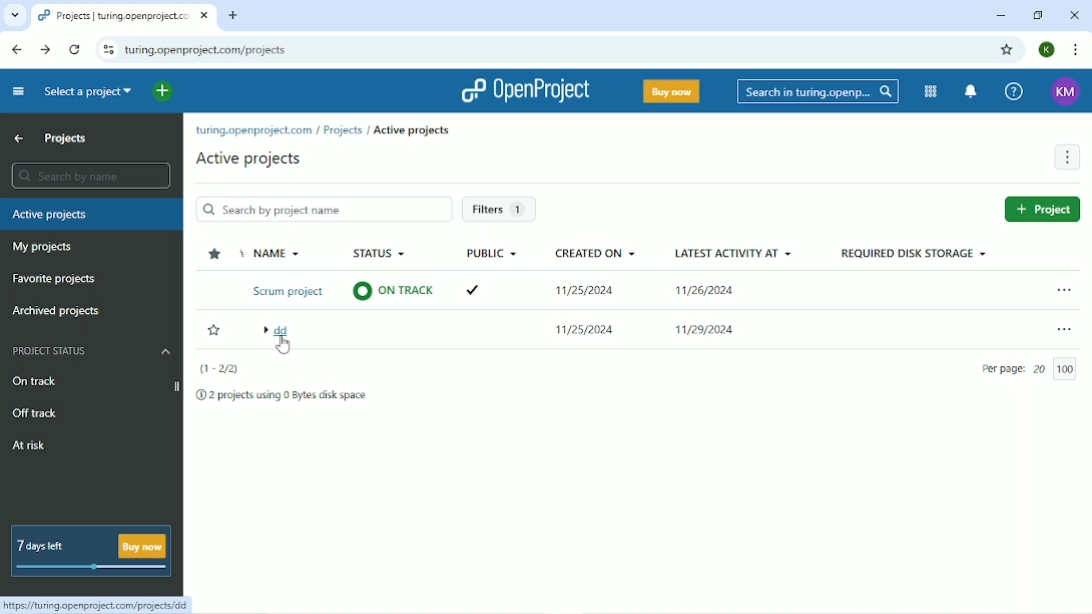 The height and width of the screenshot is (614, 1092). What do you see at coordinates (525, 90) in the screenshot?
I see `OpenProject` at bounding box center [525, 90].